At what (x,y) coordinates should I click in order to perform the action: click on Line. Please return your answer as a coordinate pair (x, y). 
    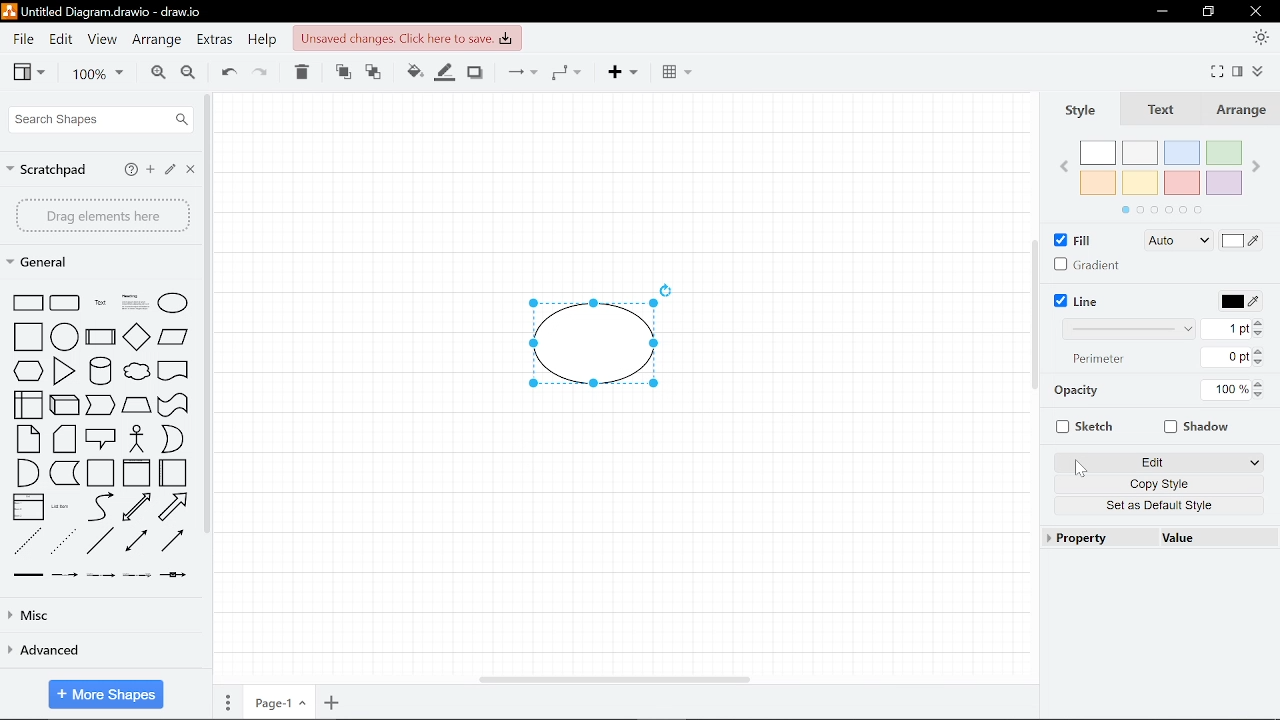
    Looking at the image, I should click on (1076, 301).